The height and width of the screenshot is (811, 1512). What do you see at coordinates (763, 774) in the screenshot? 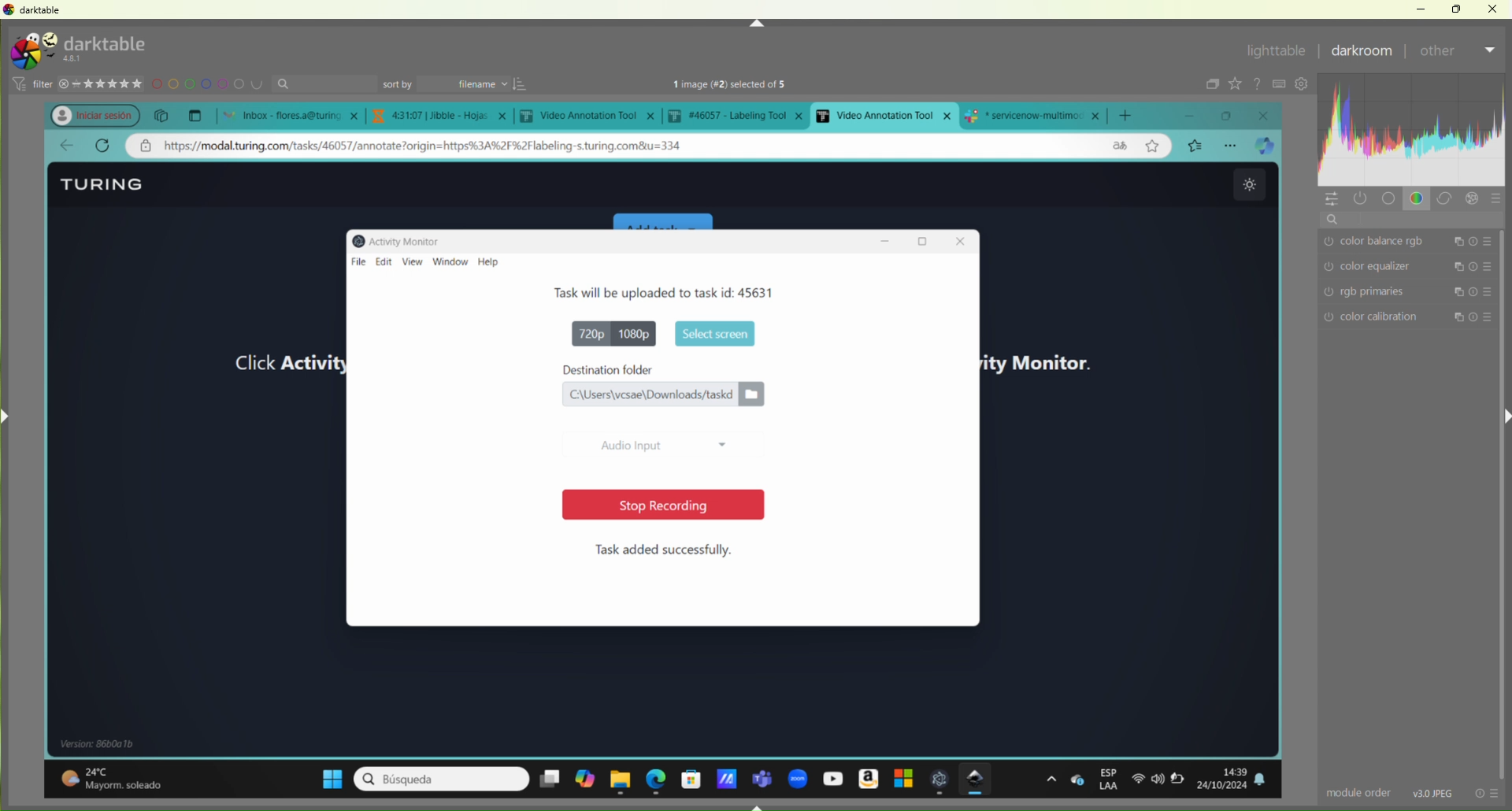
I see `teams` at bounding box center [763, 774].